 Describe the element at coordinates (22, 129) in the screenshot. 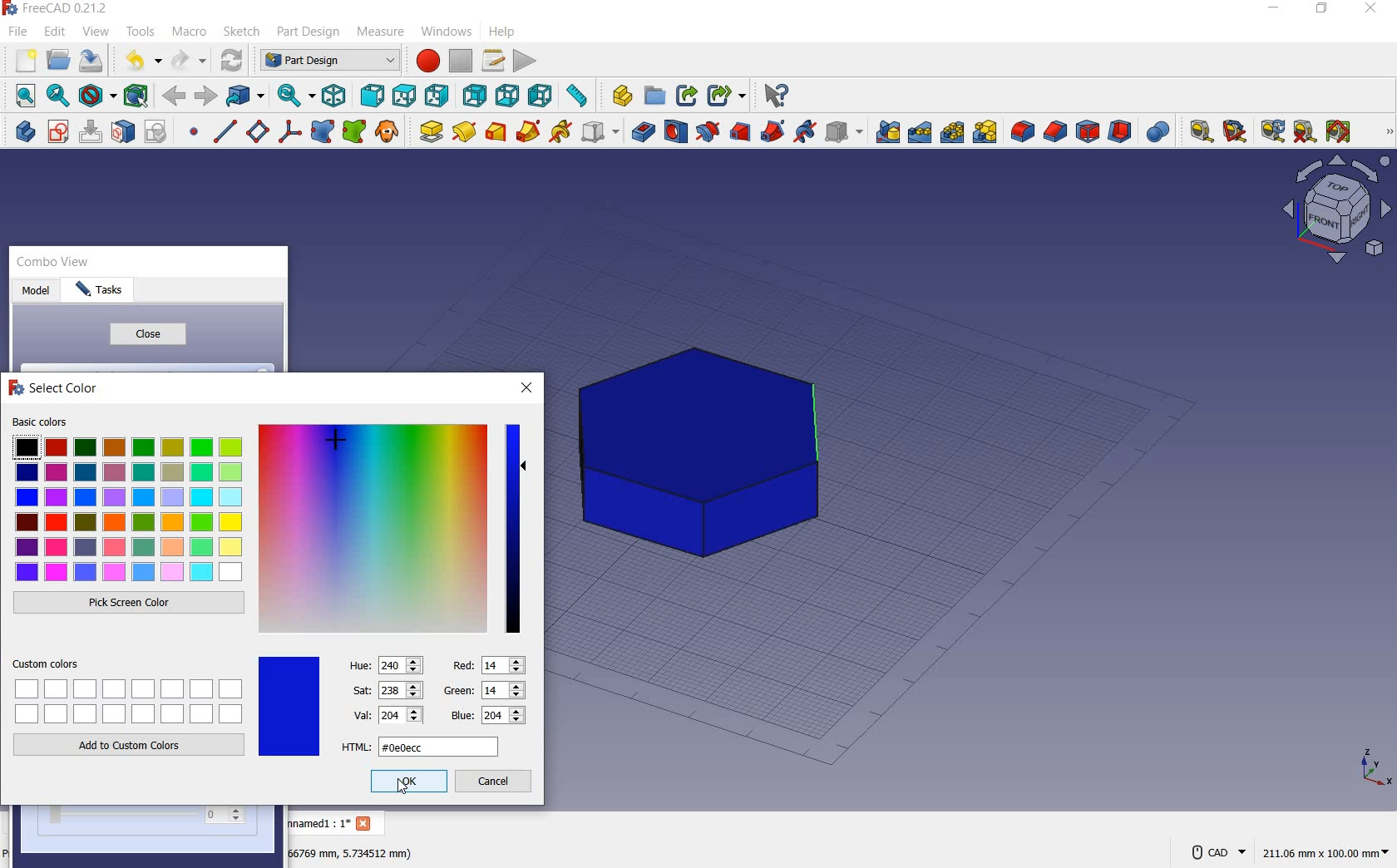

I see `create body` at that location.